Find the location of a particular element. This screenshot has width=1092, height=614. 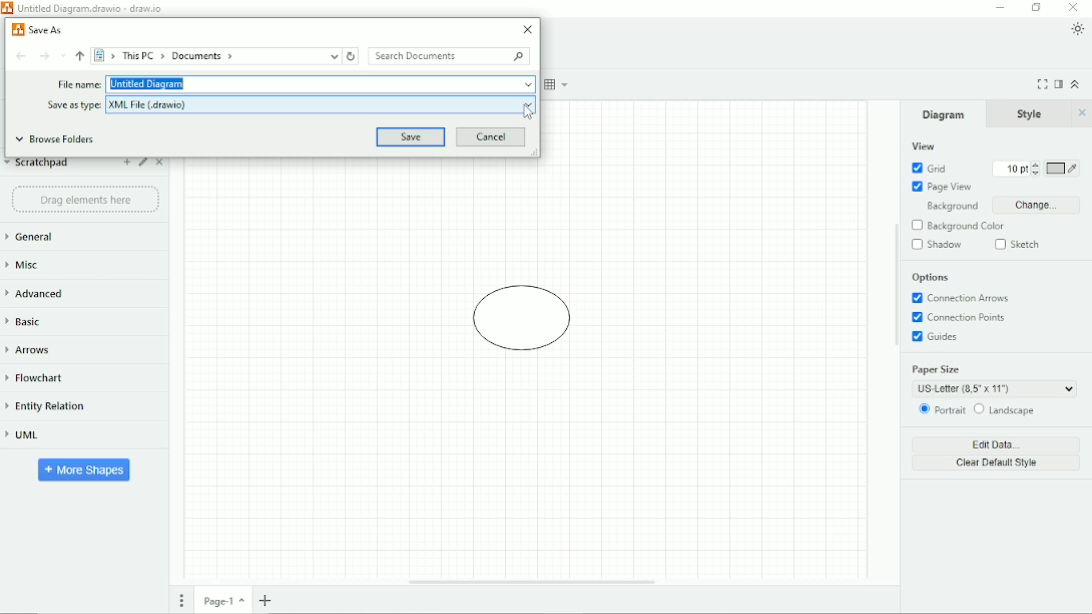

More Shapes is located at coordinates (85, 469).